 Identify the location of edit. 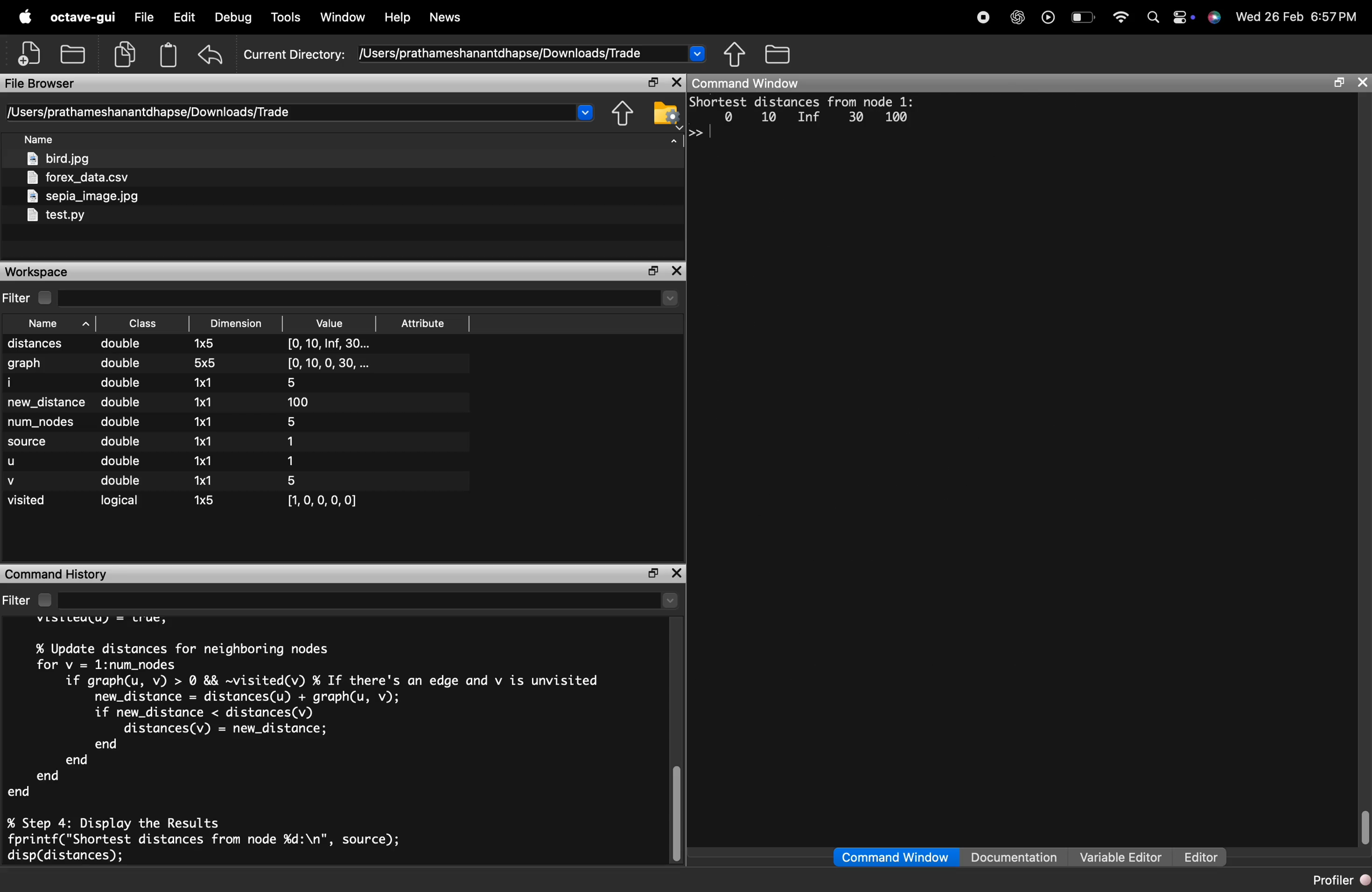
(185, 17).